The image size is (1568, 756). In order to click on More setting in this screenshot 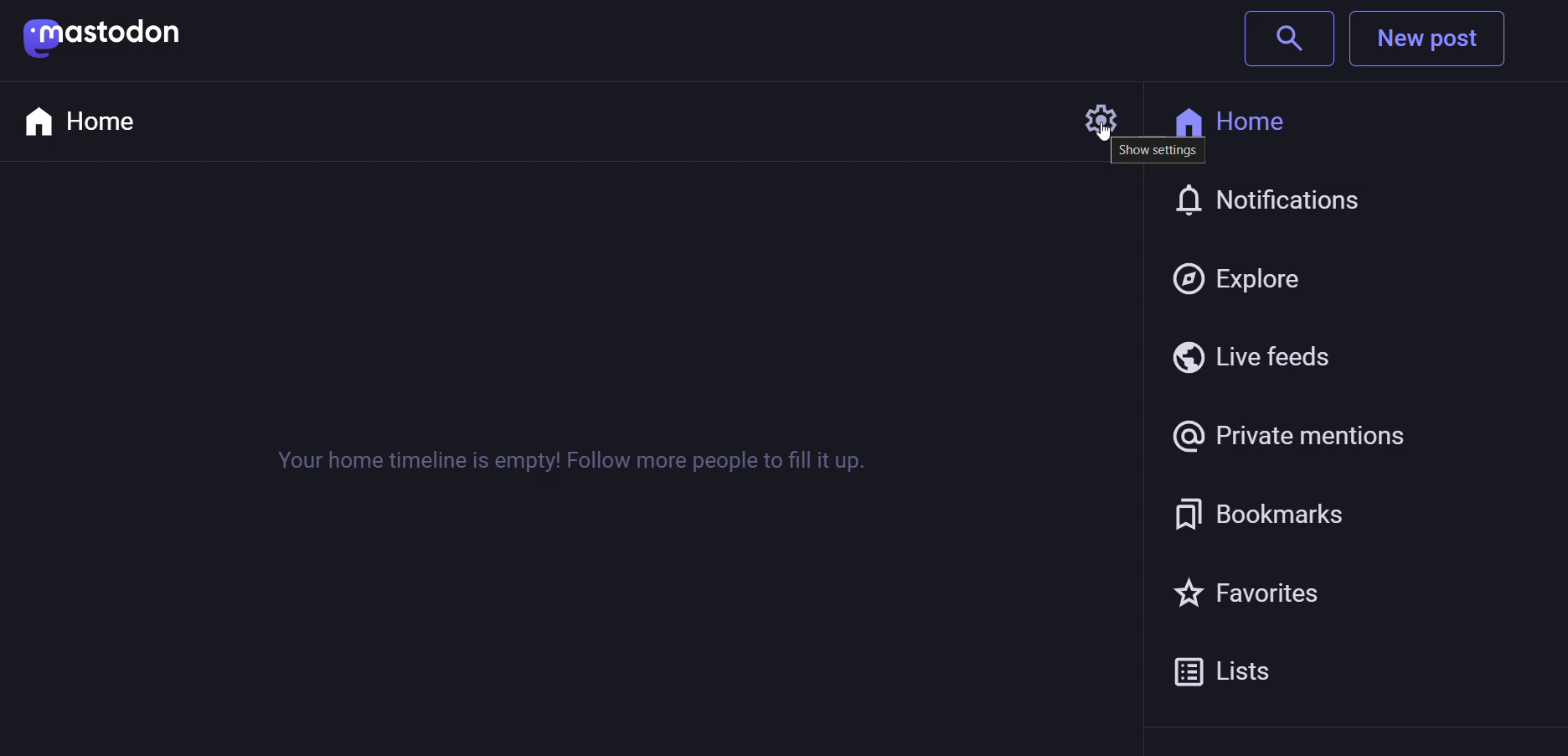, I will do `click(1173, 150)`.